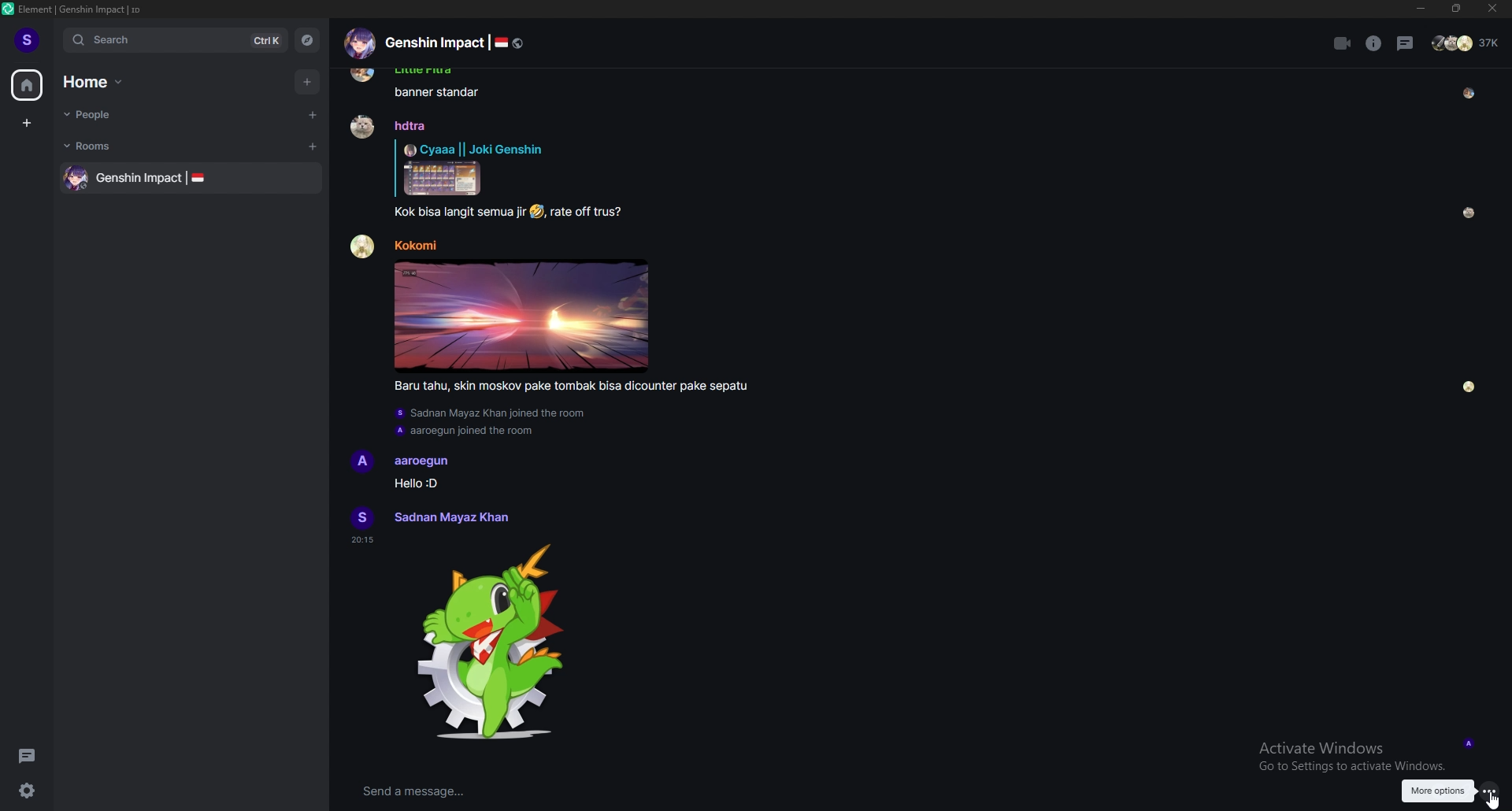 Image resolution: width=1512 pixels, height=811 pixels. What do you see at coordinates (81, 9) in the screenshot?
I see `Element | Genshin Impact | ID` at bounding box center [81, 9].